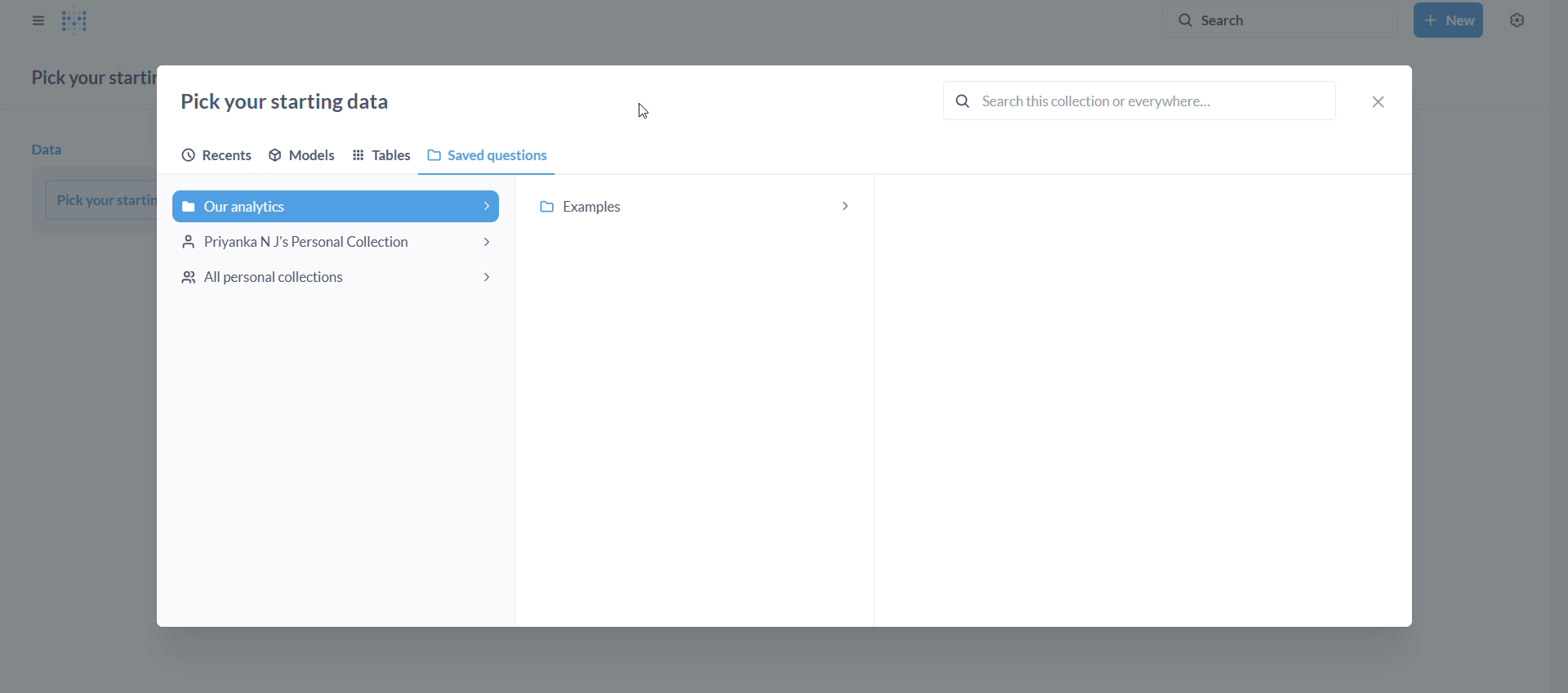  What do you see at coordinates (91, 78) in the screenshot?
I see `Pick your startir` at bounding box center [91, 78].